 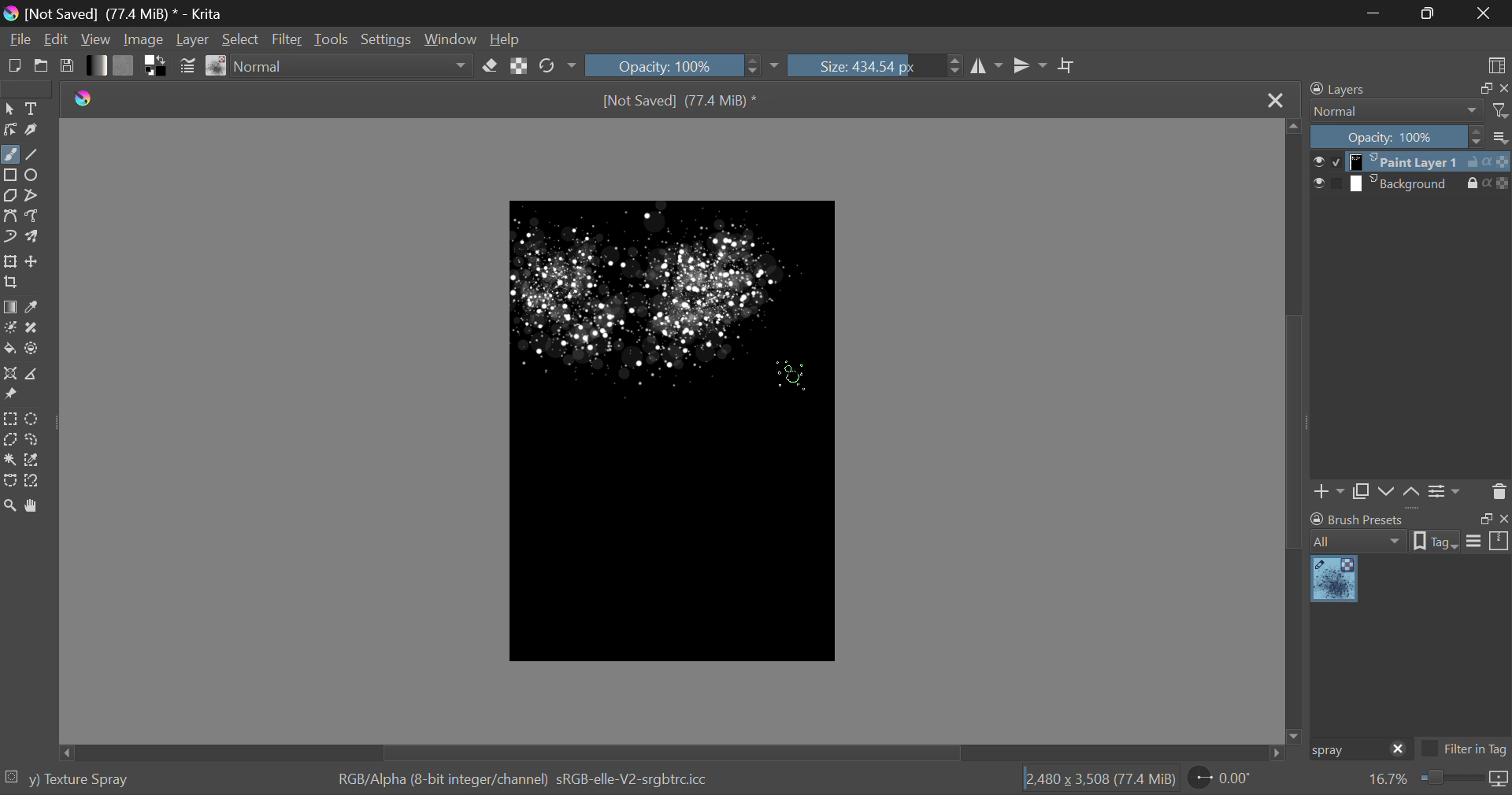 I want to click on Gradient, so click(x=98, y=65).